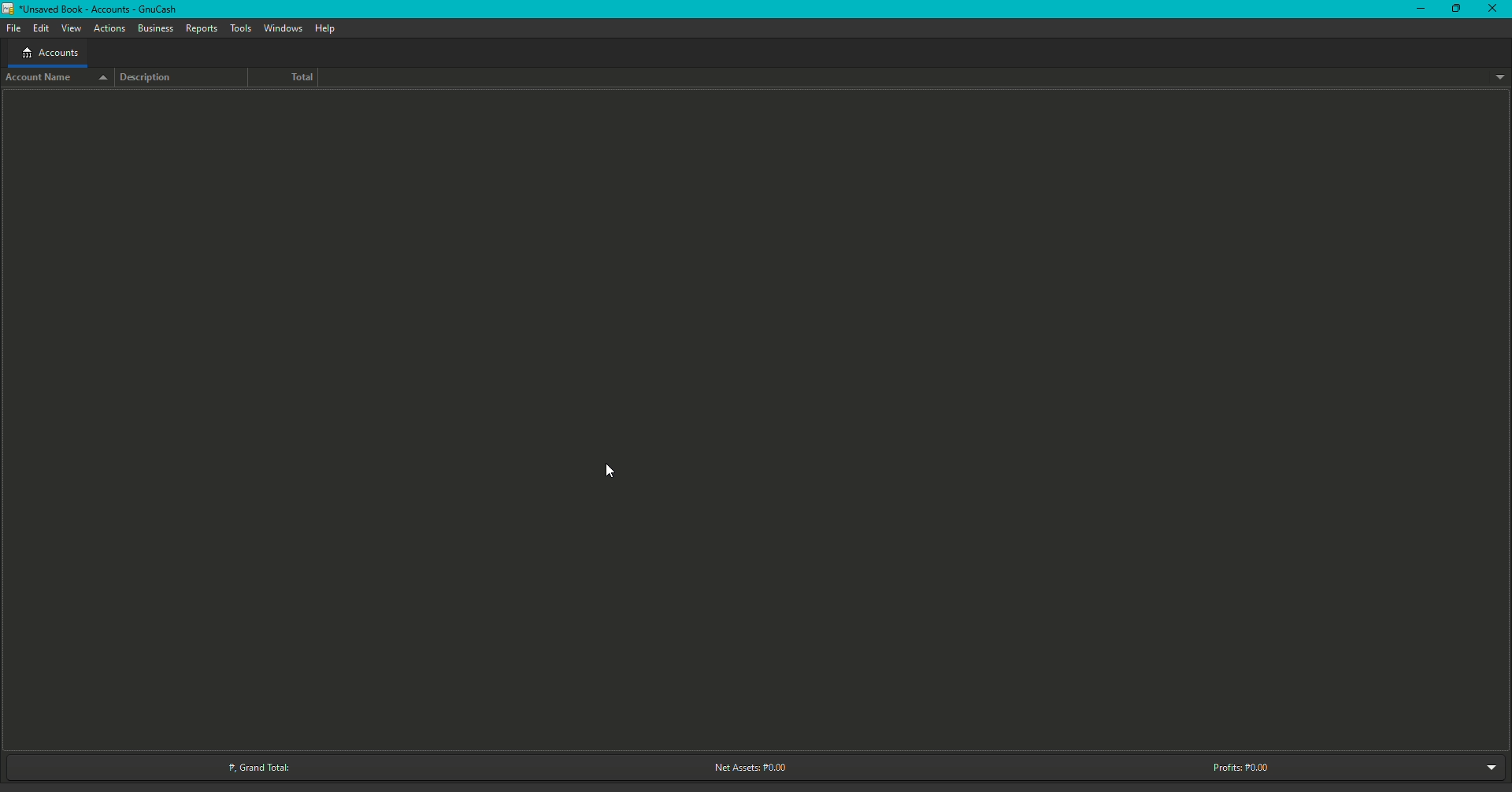  Describe the element at coordinates (13, 28) in the screenshot. I see `File` at that location.